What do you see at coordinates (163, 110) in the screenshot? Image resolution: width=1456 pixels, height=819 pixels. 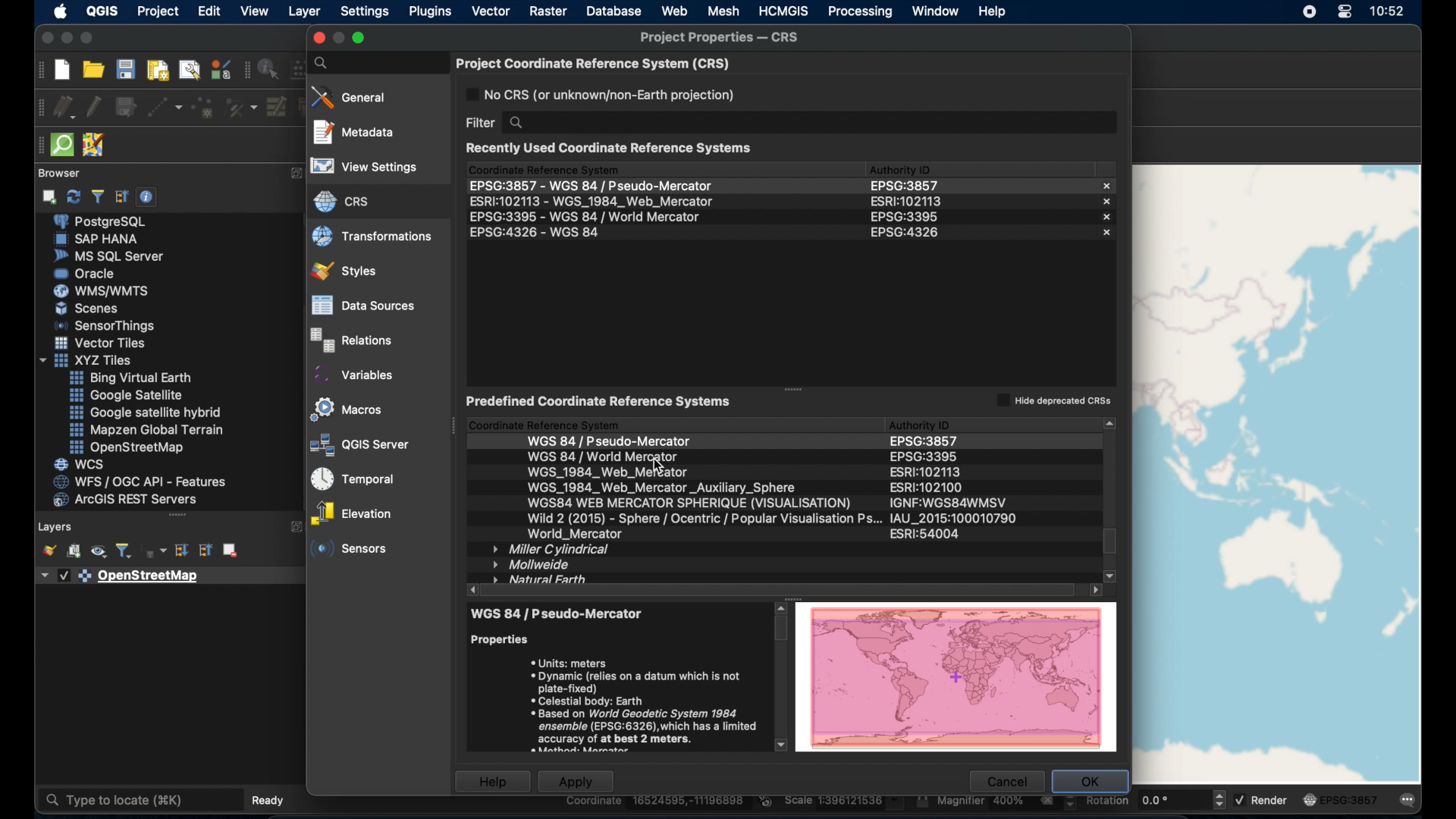 I see `digitize with segment` at bounding box center [163, 110].